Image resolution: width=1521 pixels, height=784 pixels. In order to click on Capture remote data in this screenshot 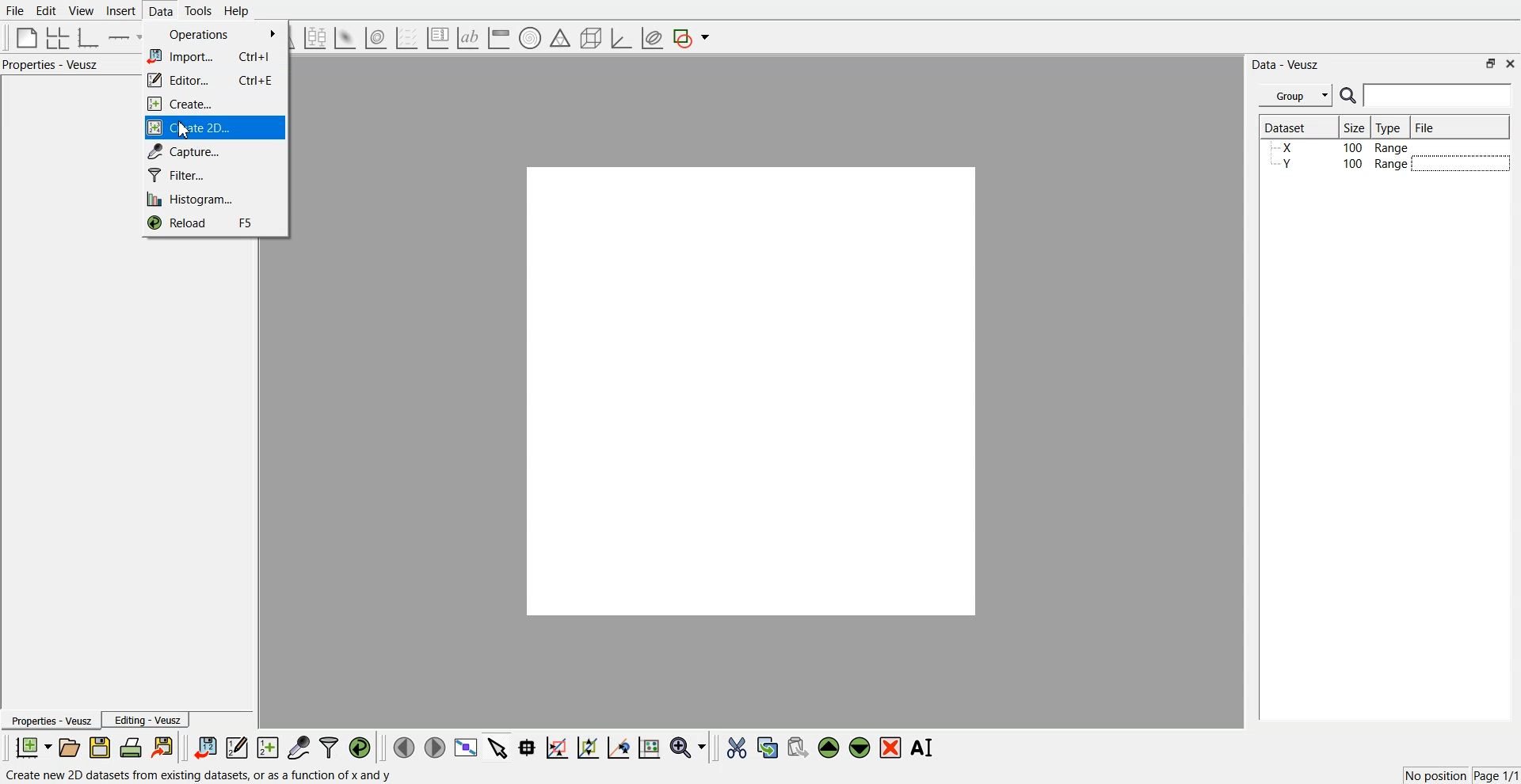, I will do `click(299, 747)`.